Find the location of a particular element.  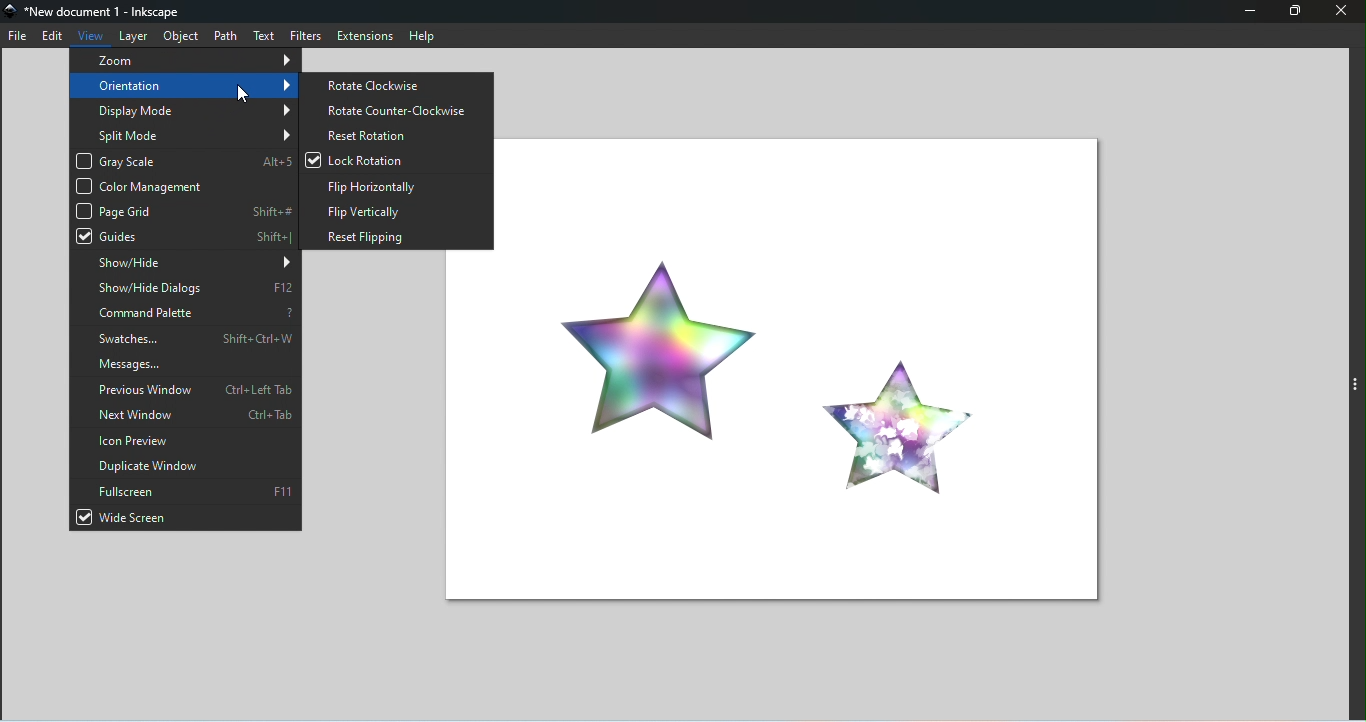

Flip horizontally is located at coordinates (395, 184).